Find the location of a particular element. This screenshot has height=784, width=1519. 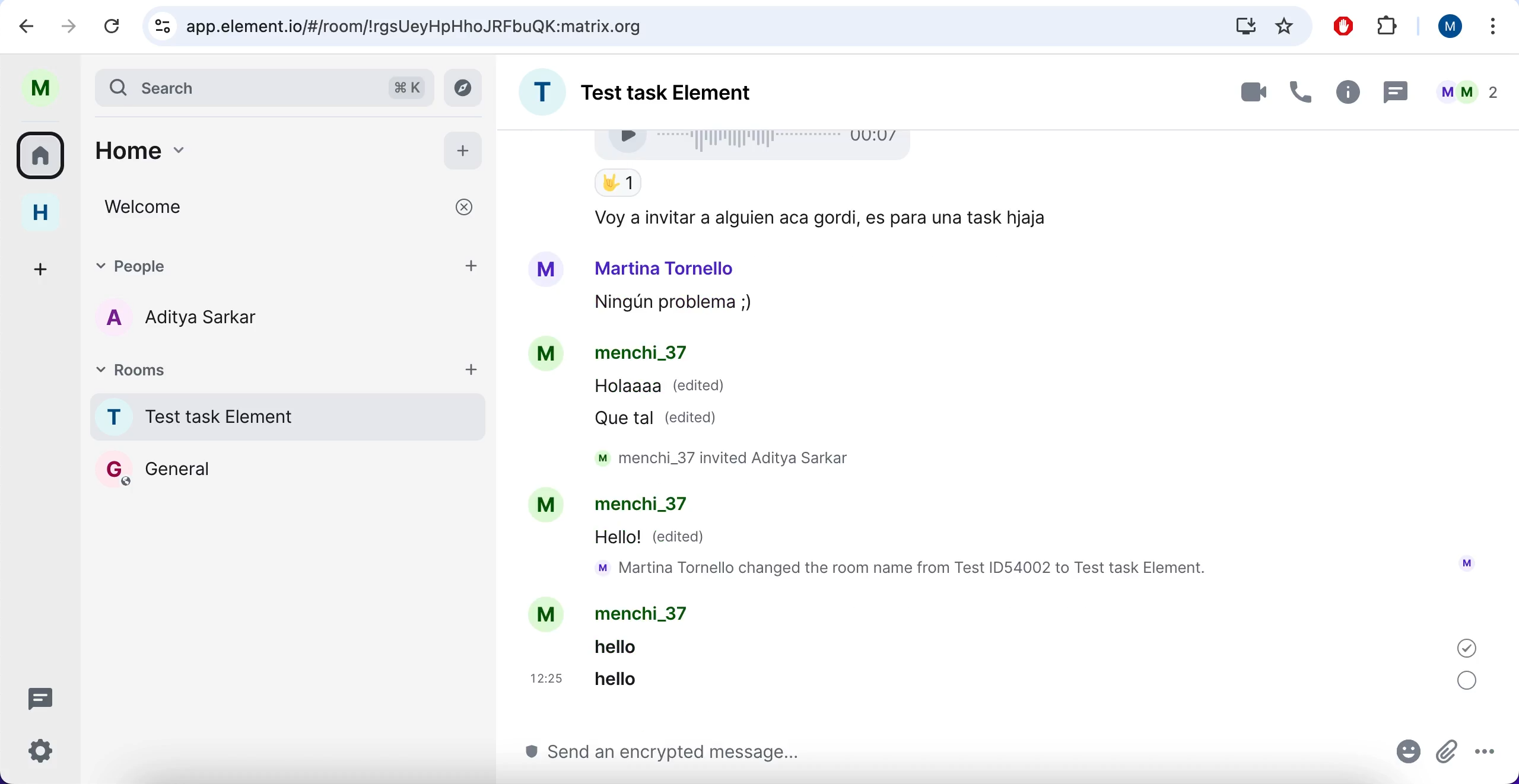

search bar is located at coordinates (262, 87).